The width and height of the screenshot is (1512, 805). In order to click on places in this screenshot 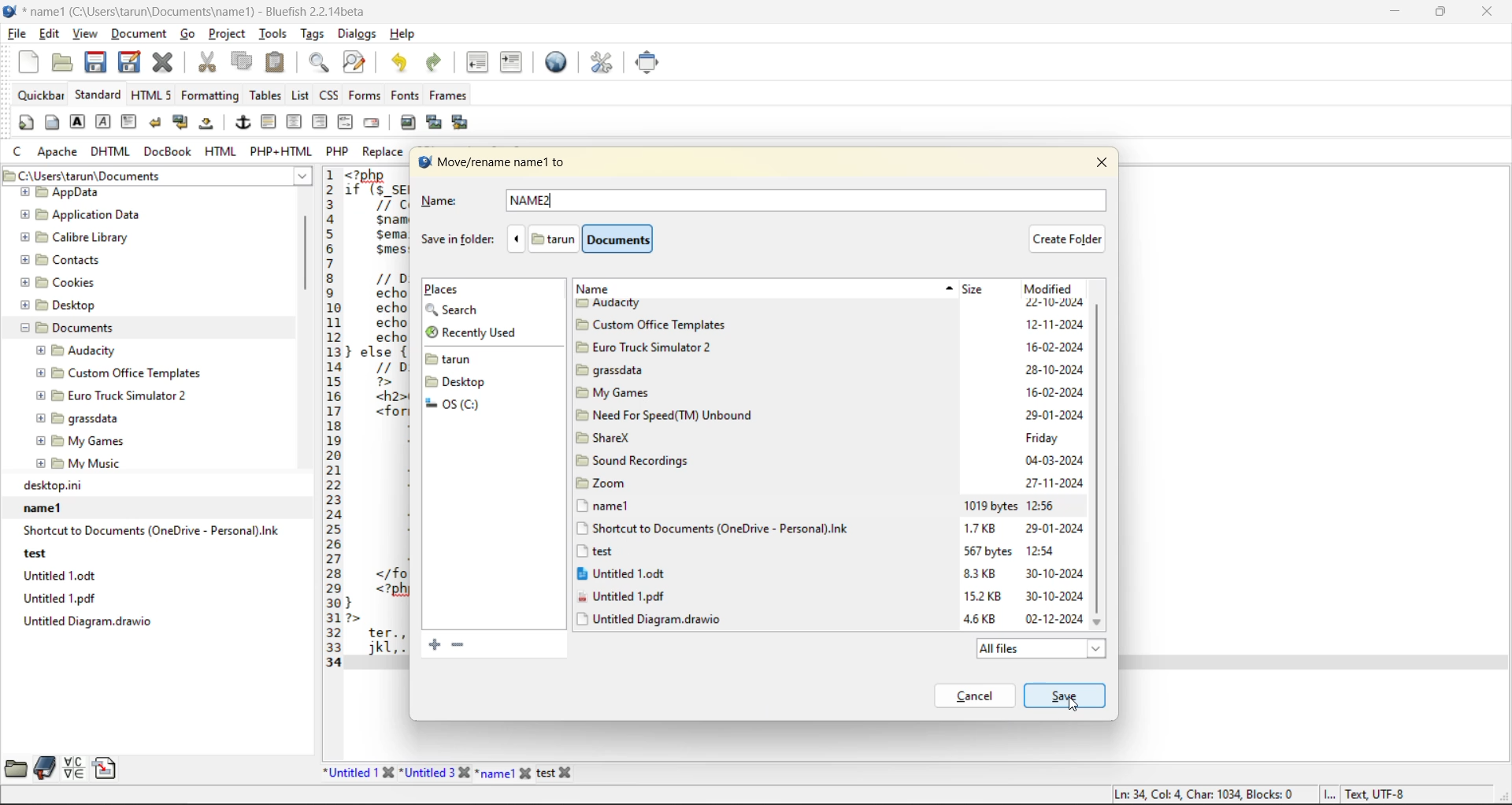, I will do `click(452, 290)`.